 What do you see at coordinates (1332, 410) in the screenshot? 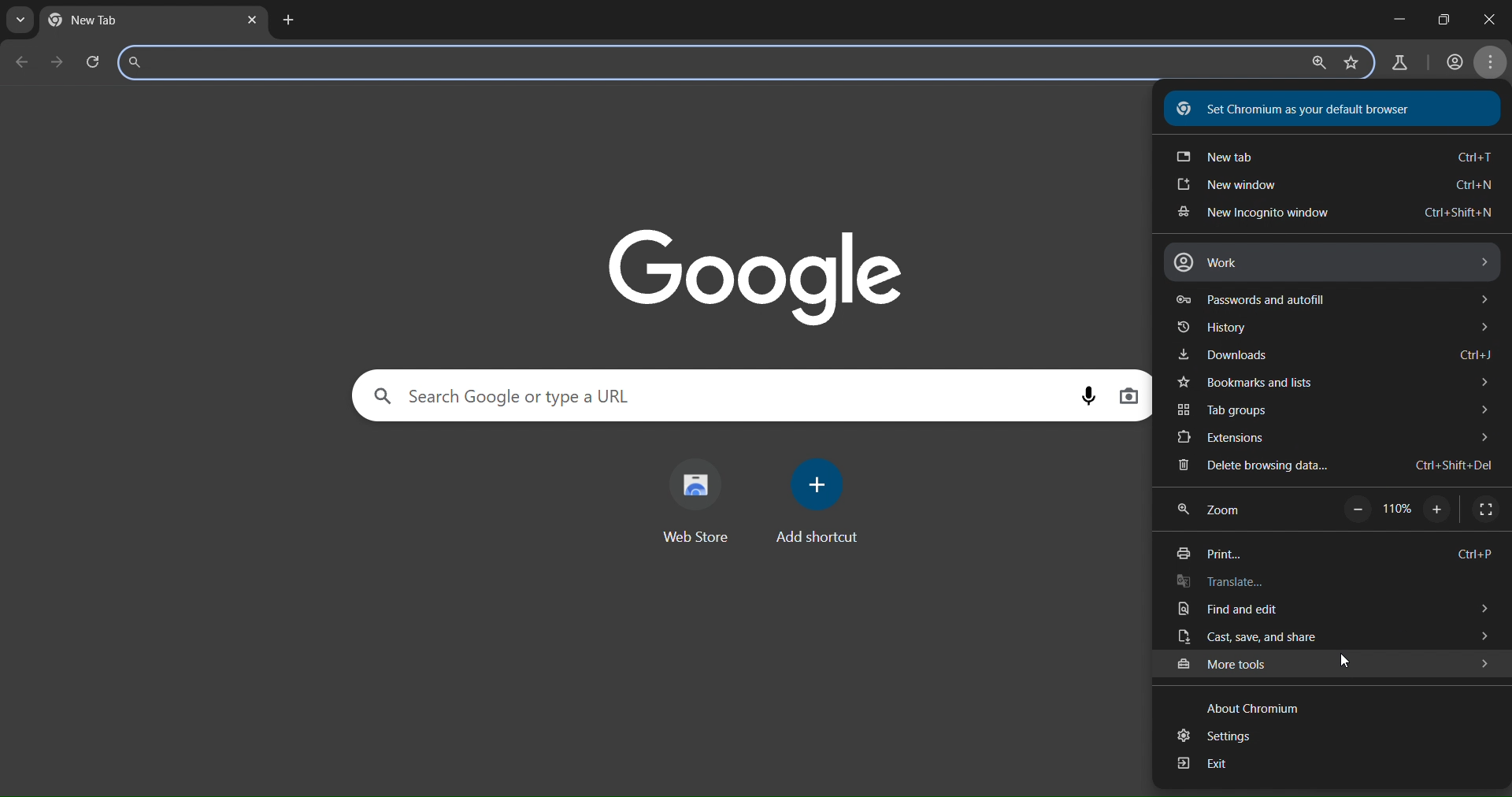
I see `tab groups` at bounding box center [1332, 410].